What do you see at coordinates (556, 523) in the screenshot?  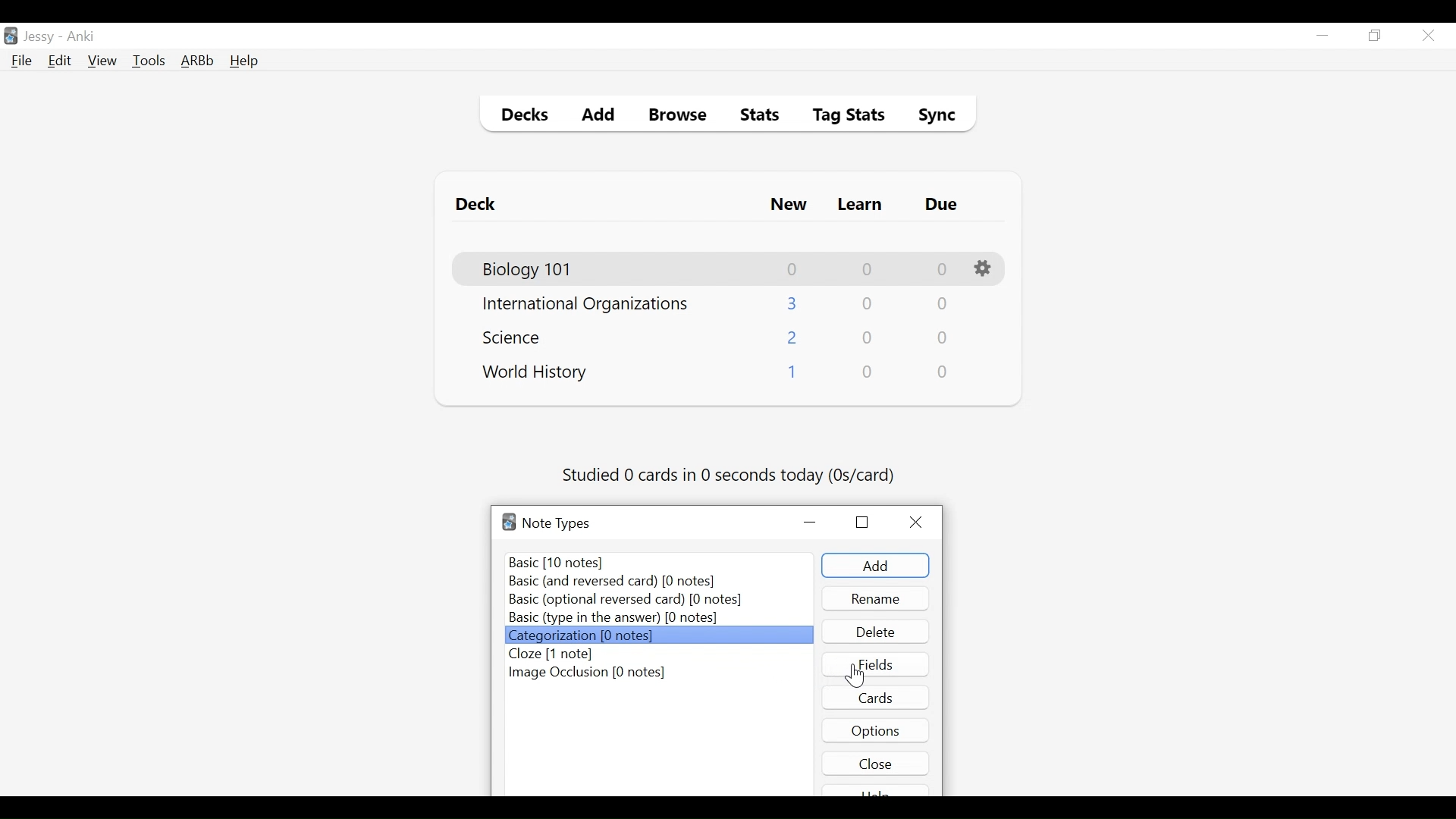 I see `Note Types` at bounding box center [556, 523].